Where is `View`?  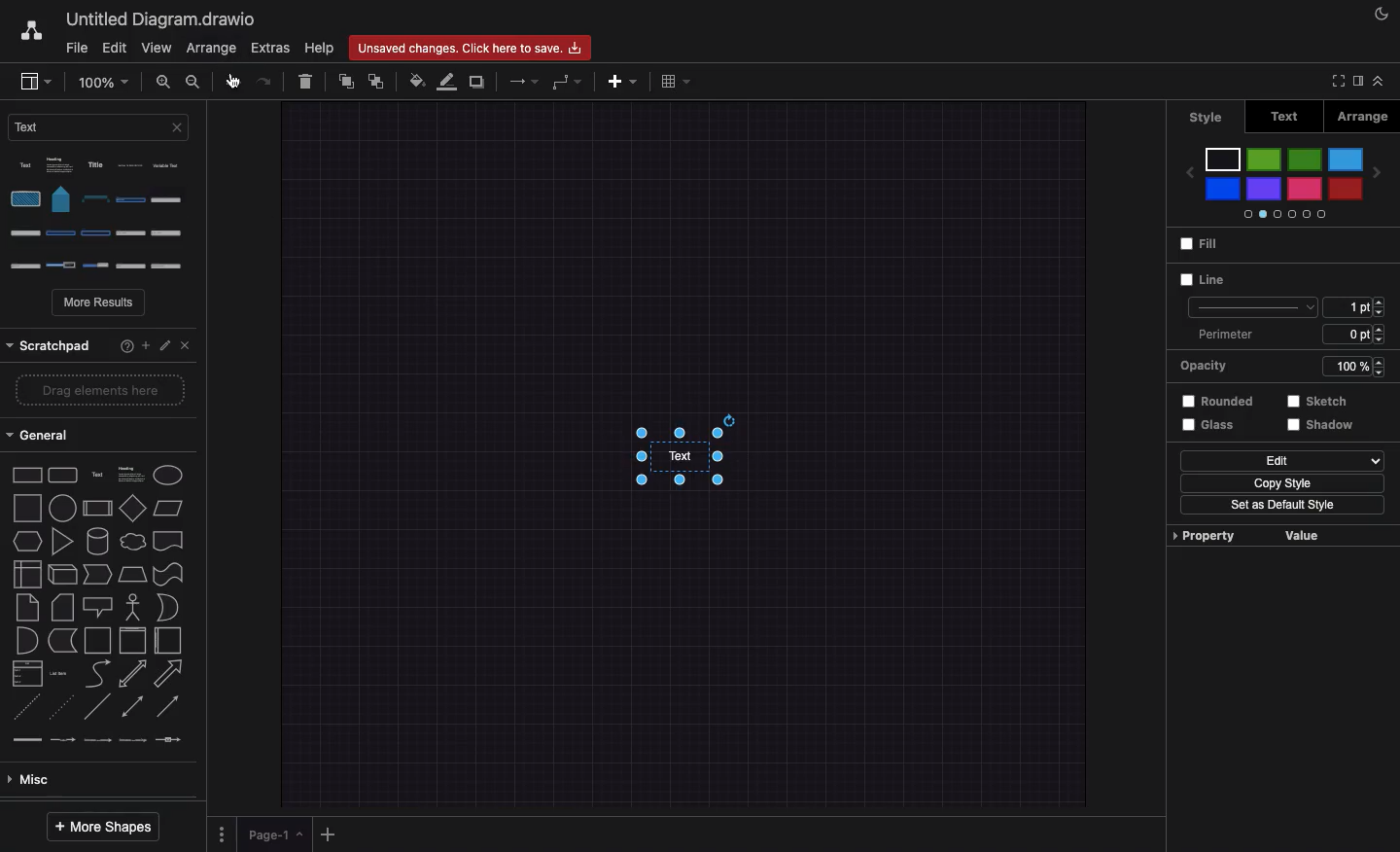
View is located at coordinates (157, 49).